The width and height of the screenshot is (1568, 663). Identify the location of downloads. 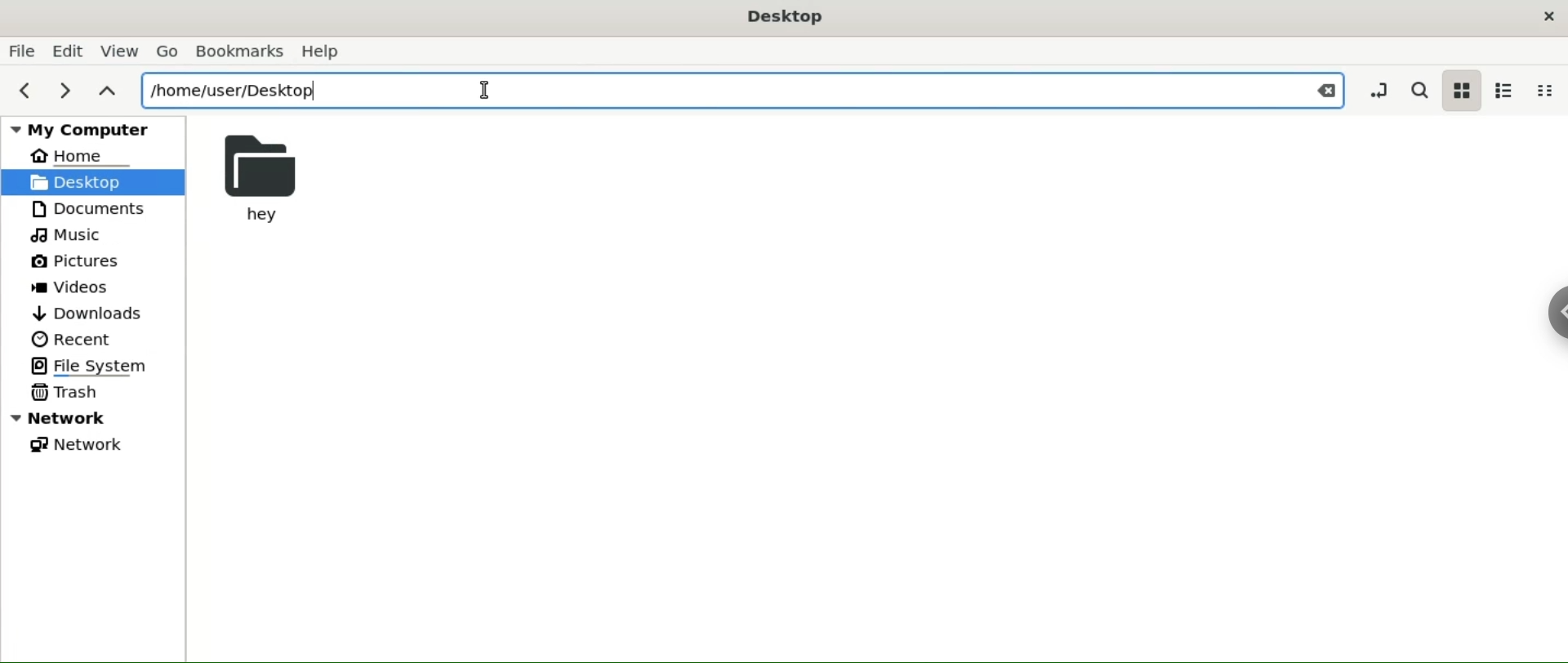
(91, 314).